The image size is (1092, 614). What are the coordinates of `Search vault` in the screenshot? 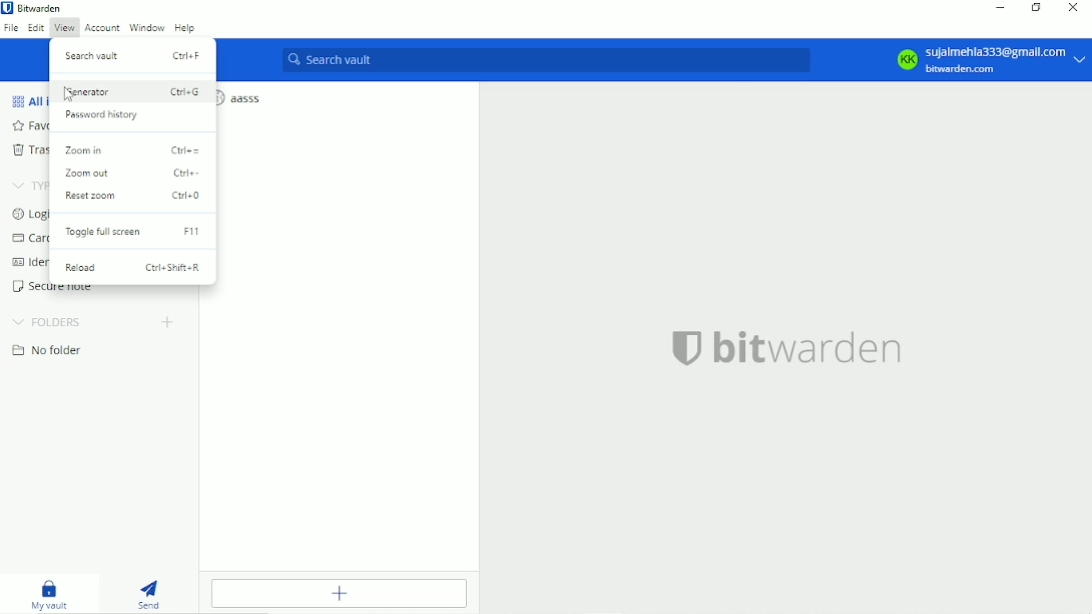 It's located at (134, 54).